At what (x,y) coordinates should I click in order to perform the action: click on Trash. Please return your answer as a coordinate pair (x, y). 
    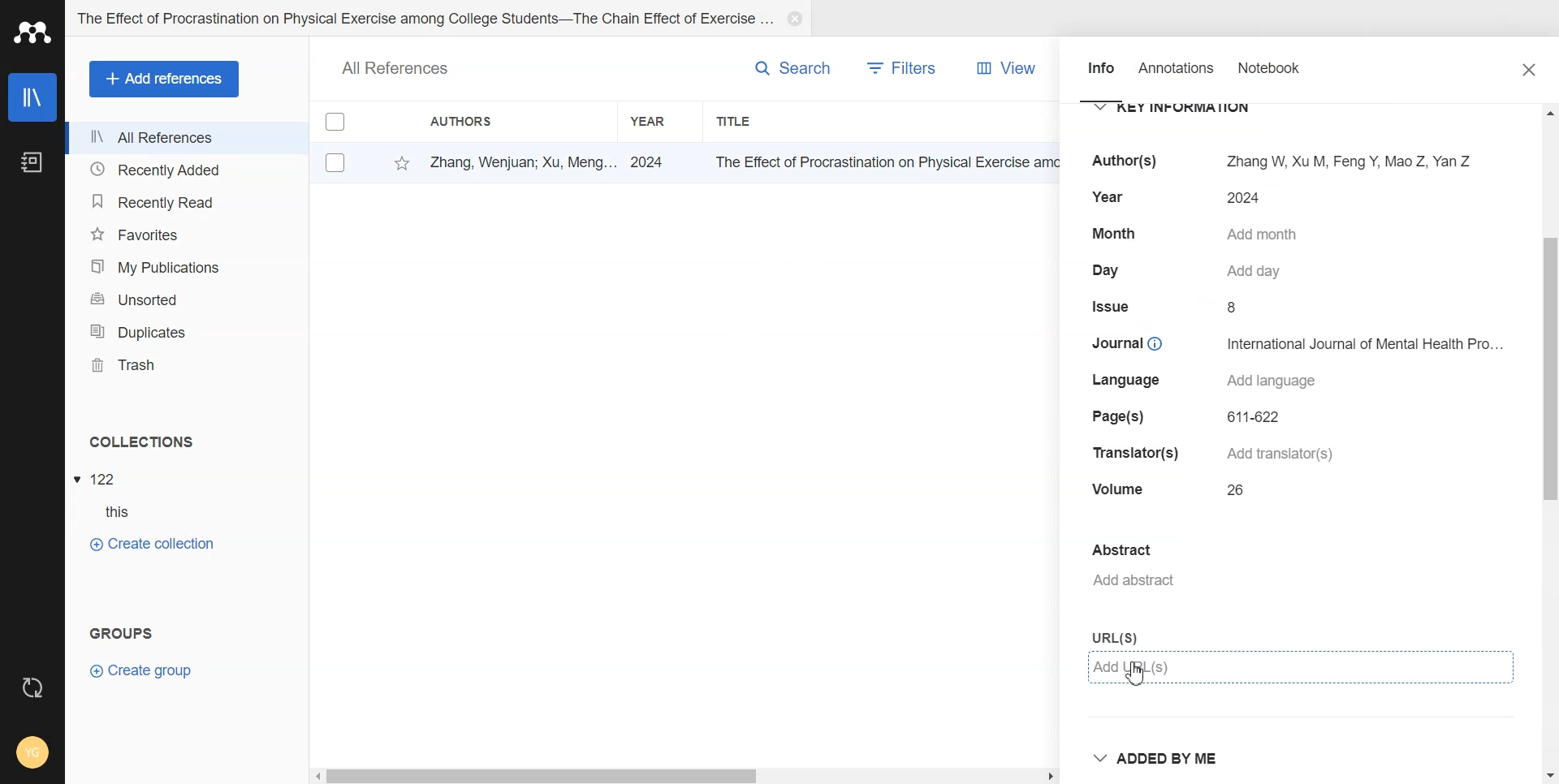
    Looking at the image, I should click on (187, 364).